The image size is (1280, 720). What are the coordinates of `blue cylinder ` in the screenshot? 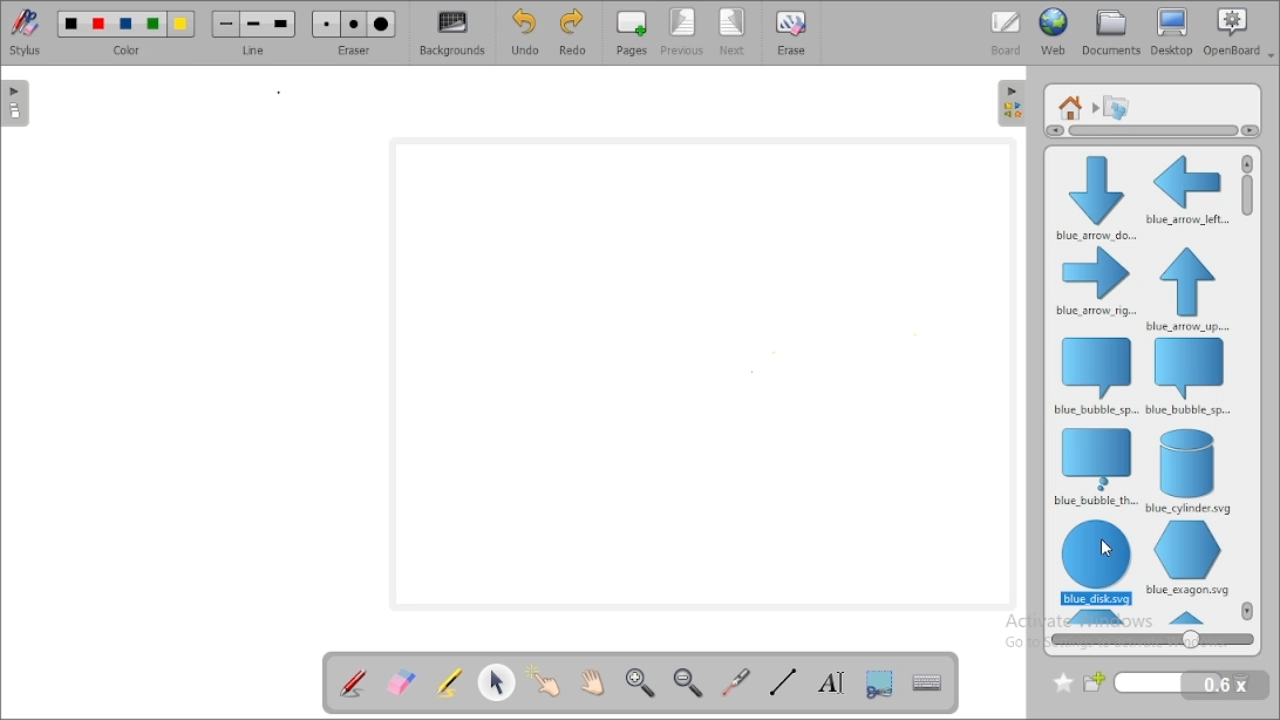 It's located at (1190, 471).